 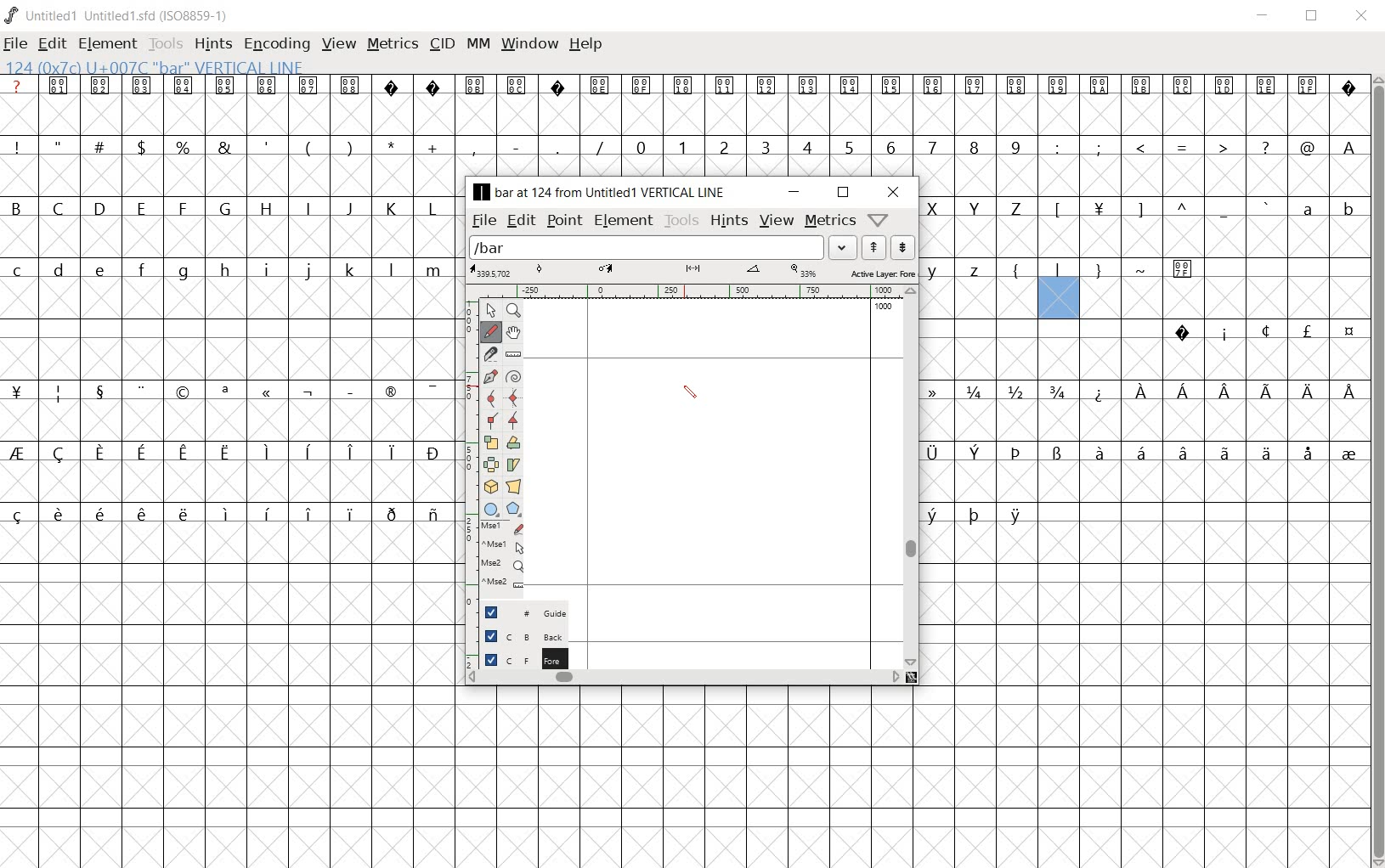 What do you see at coordinates (517, 657) in the screenshot?
I see `foreground` at bounding box center [517, 657].